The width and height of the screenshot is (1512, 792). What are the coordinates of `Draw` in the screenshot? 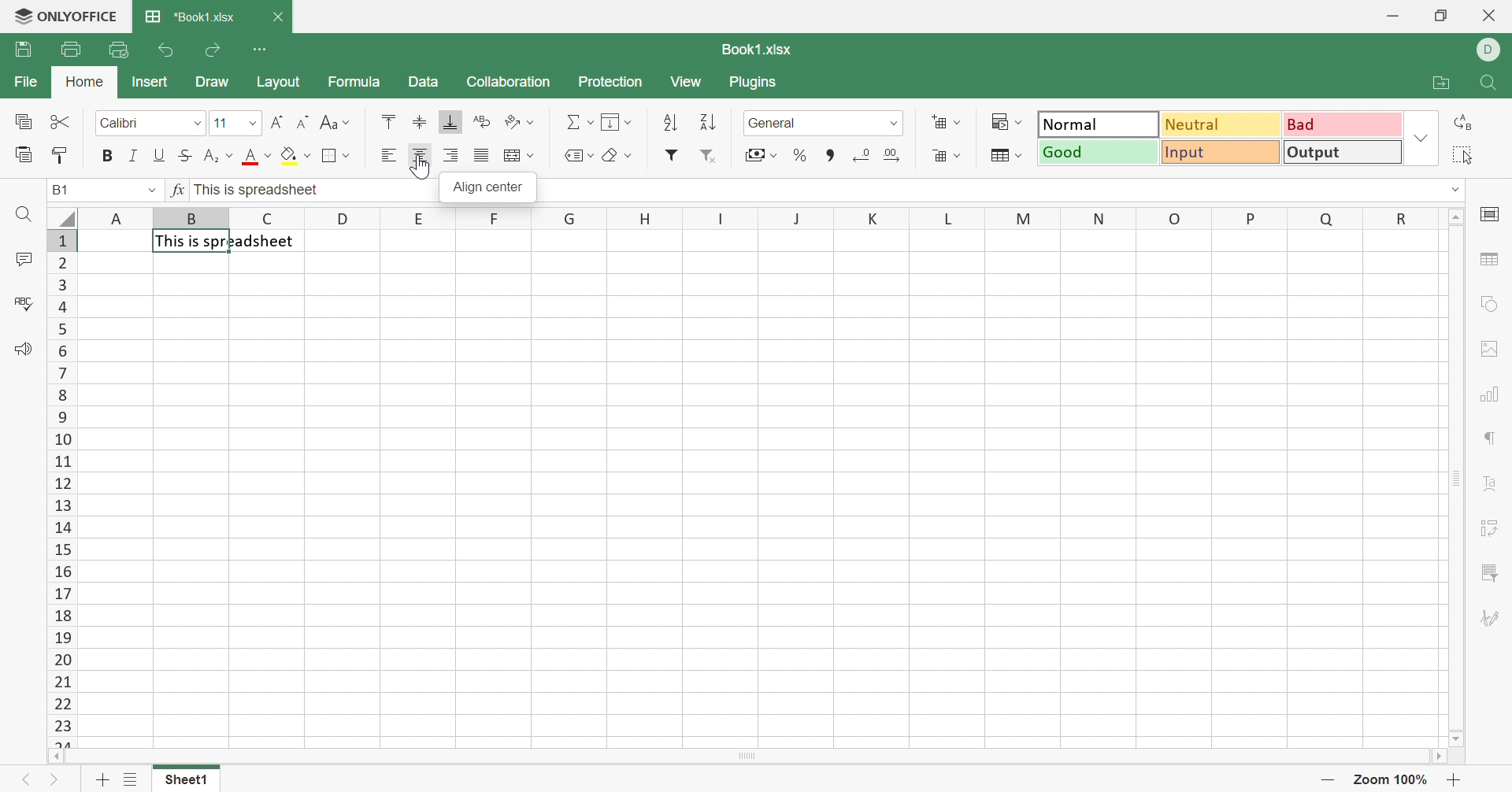 It's located at (211, 80).